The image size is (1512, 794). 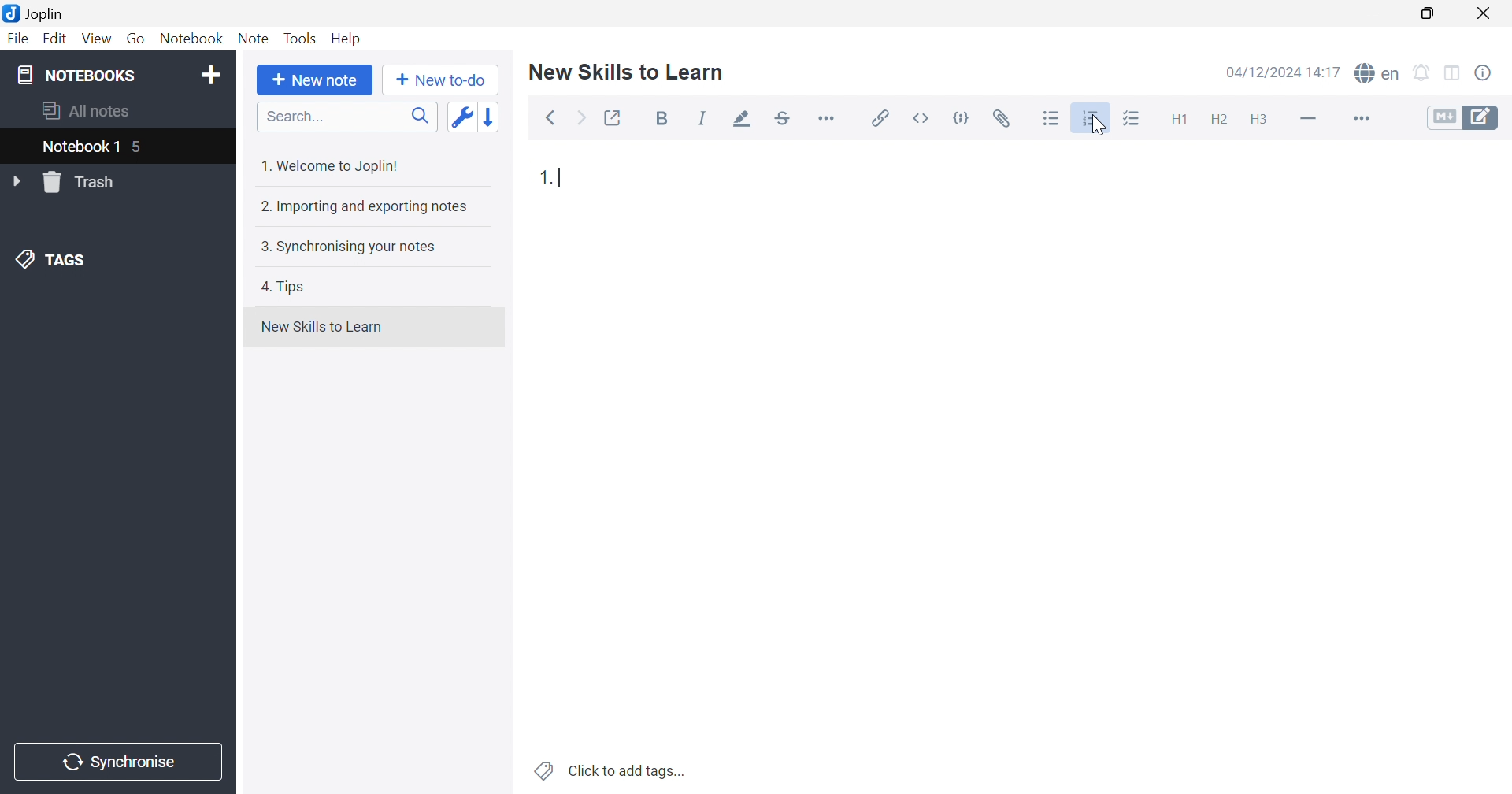 I want to click on 3. Synchronising your notes, so click(x=344, y=246).